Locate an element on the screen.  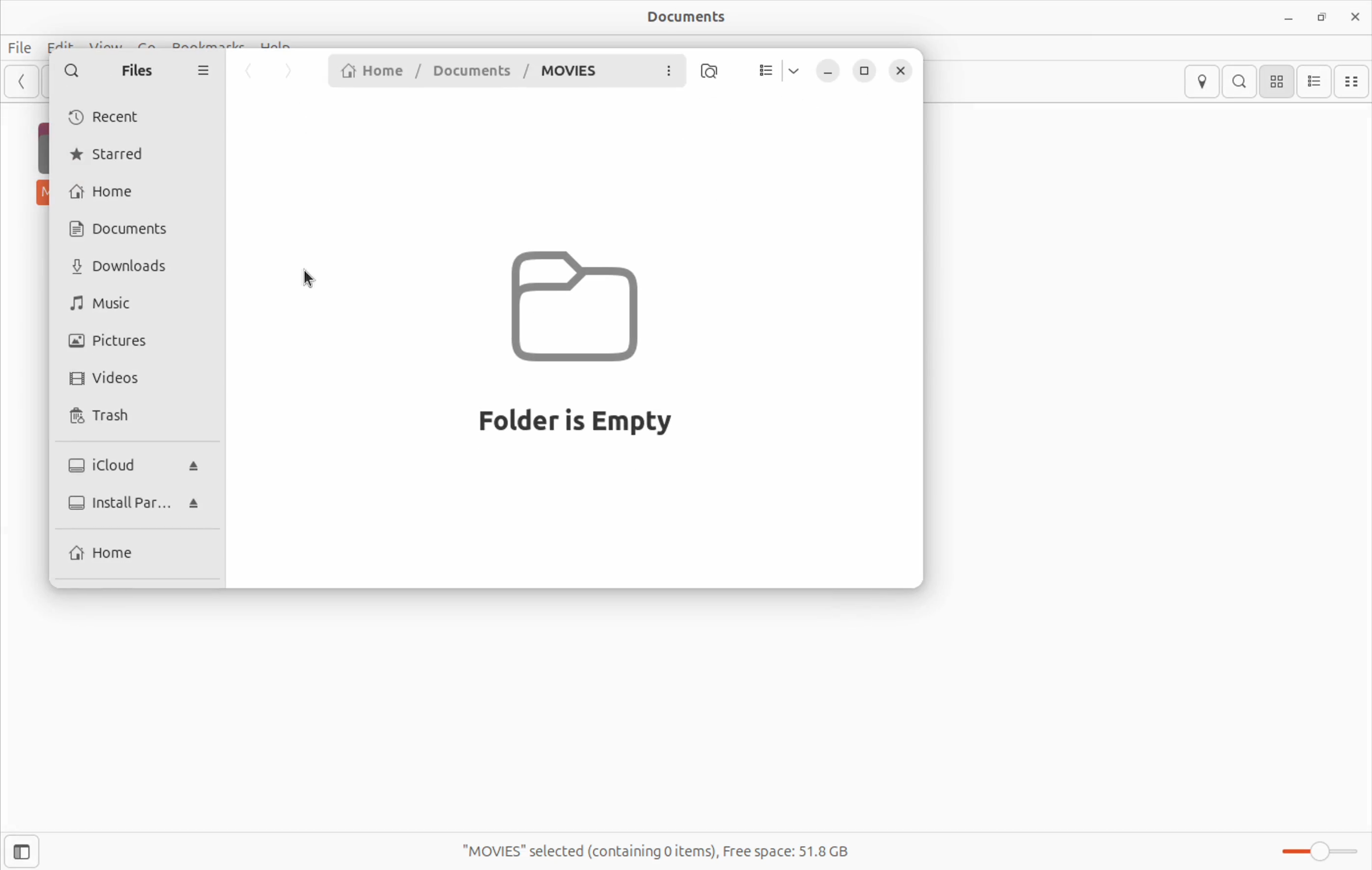
File is located at coordinates (25, 45).